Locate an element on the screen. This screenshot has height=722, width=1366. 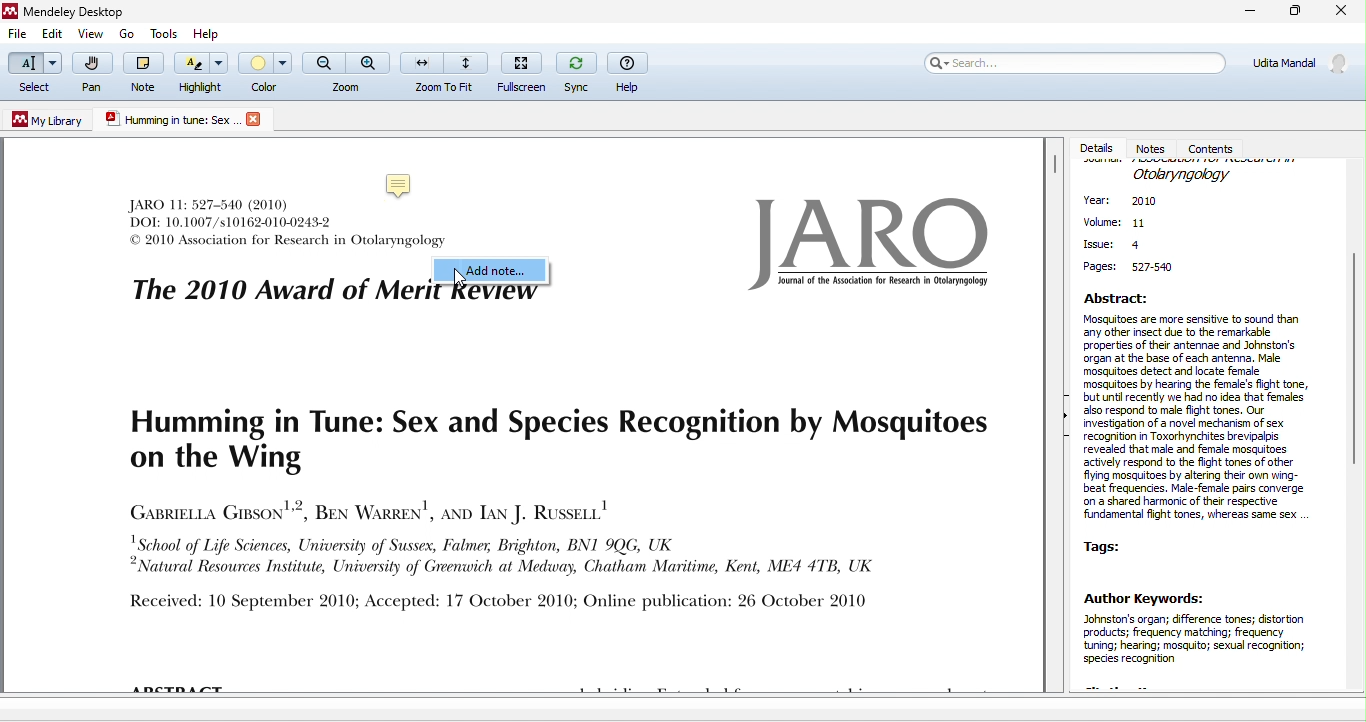
select is located at coordinates (33, 74).